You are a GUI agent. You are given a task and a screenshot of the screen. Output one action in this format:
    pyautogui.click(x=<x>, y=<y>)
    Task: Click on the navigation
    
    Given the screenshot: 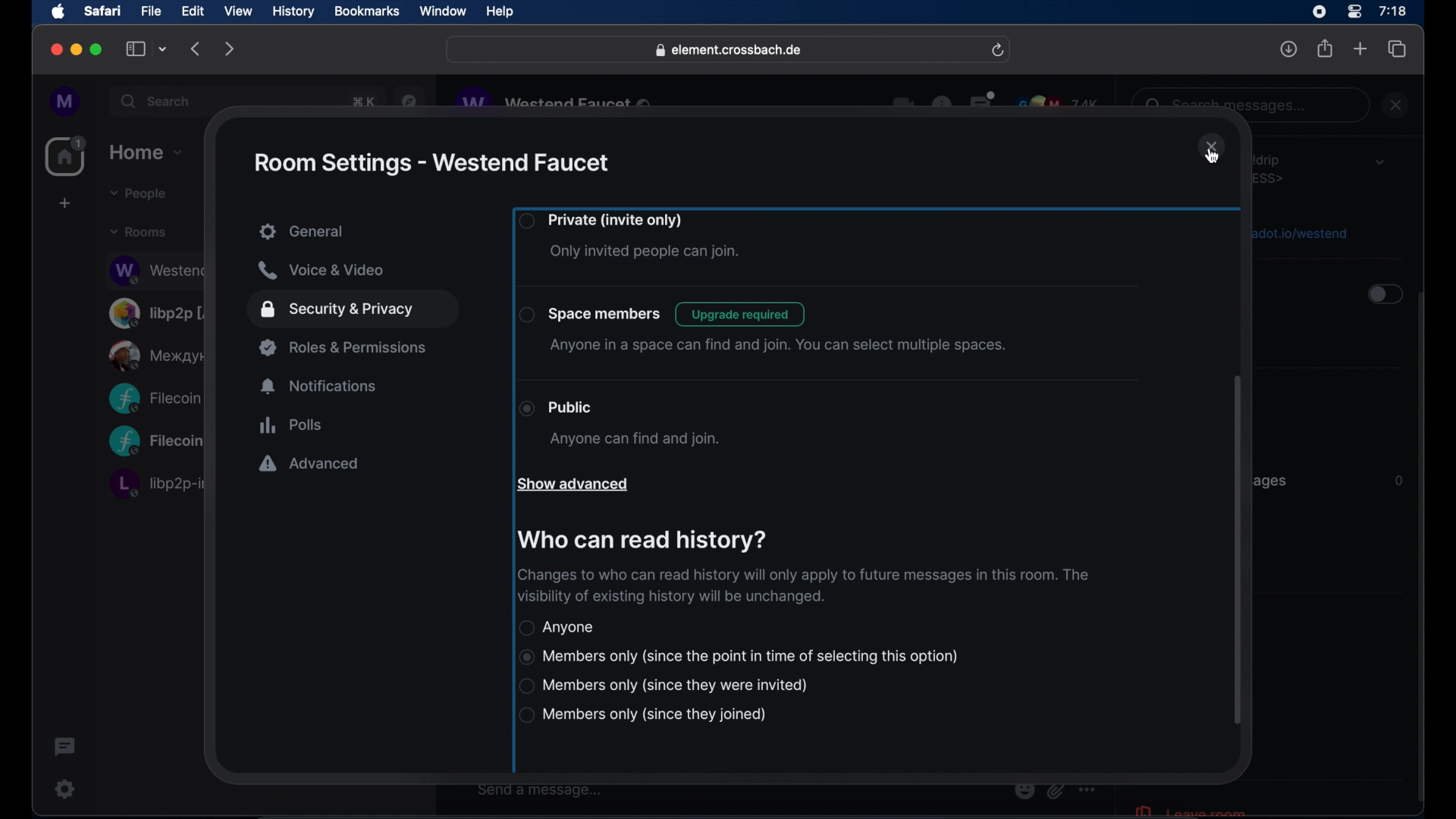 What is the action you would take?
    pyautogui.click(x=409, y=99)
    